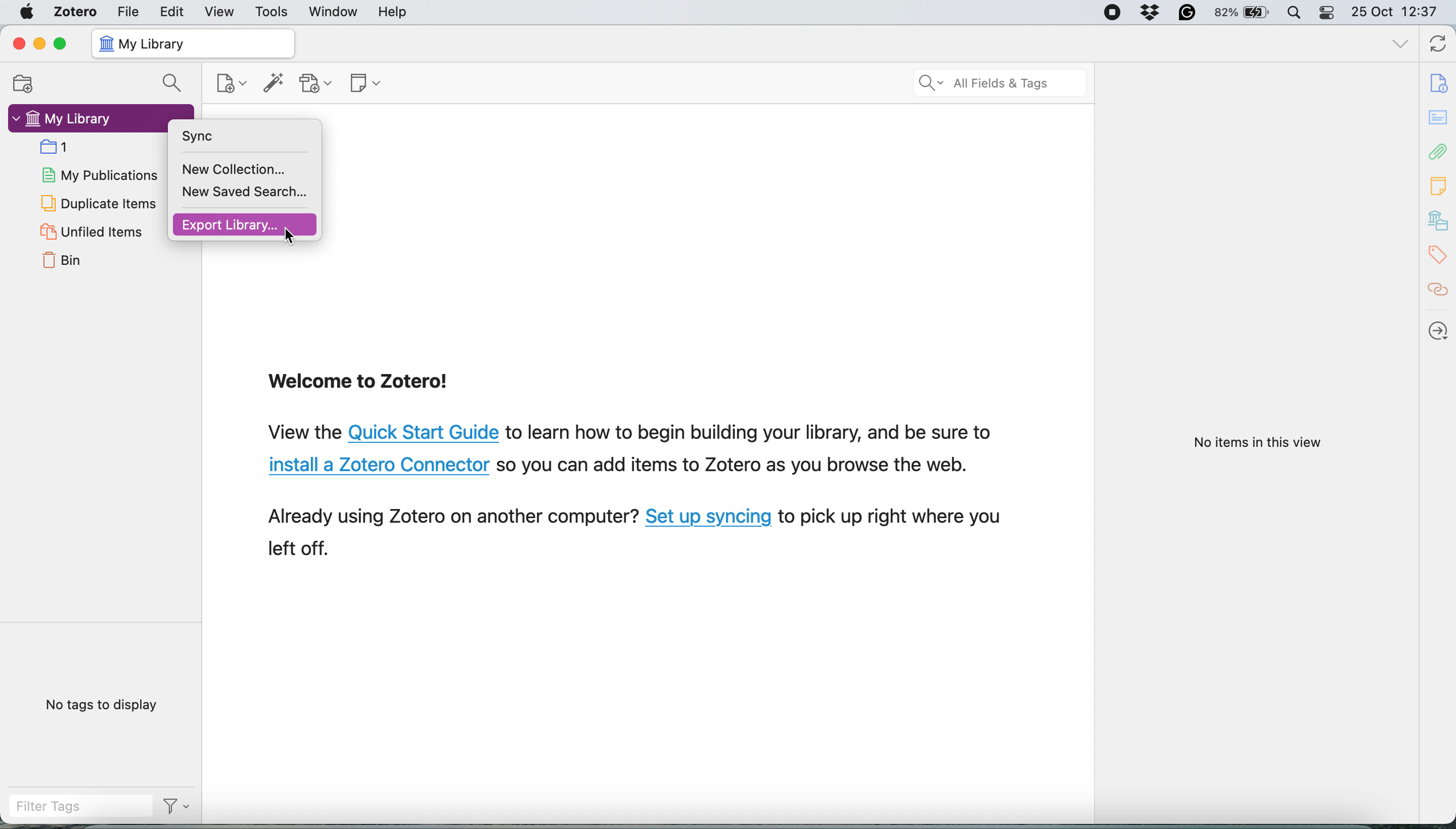 This screenshot has width=1456, height=829. Describe the element at coordinates (63, 44) in the screenshot. I see `maximise` at that location.